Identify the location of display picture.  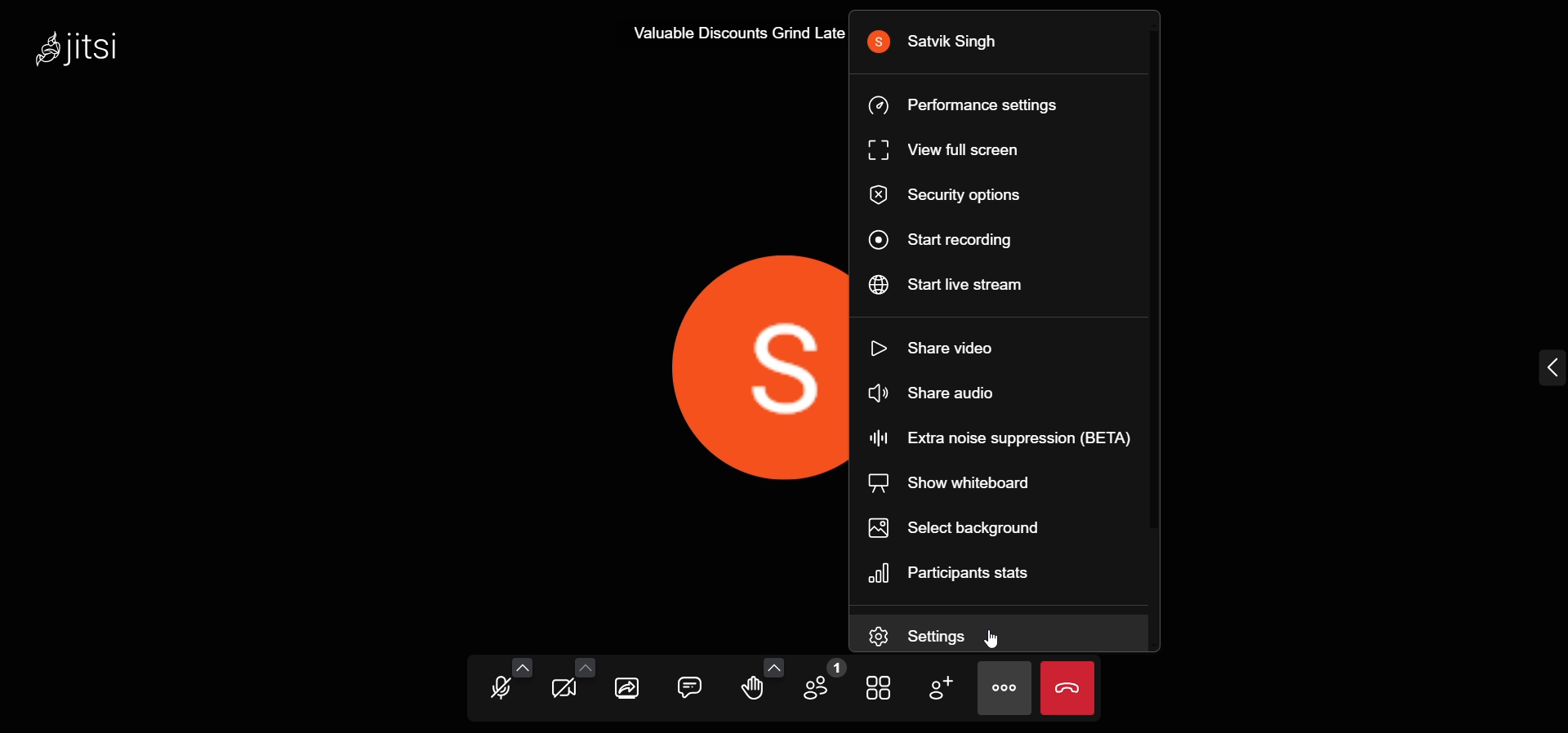
(689, 361).